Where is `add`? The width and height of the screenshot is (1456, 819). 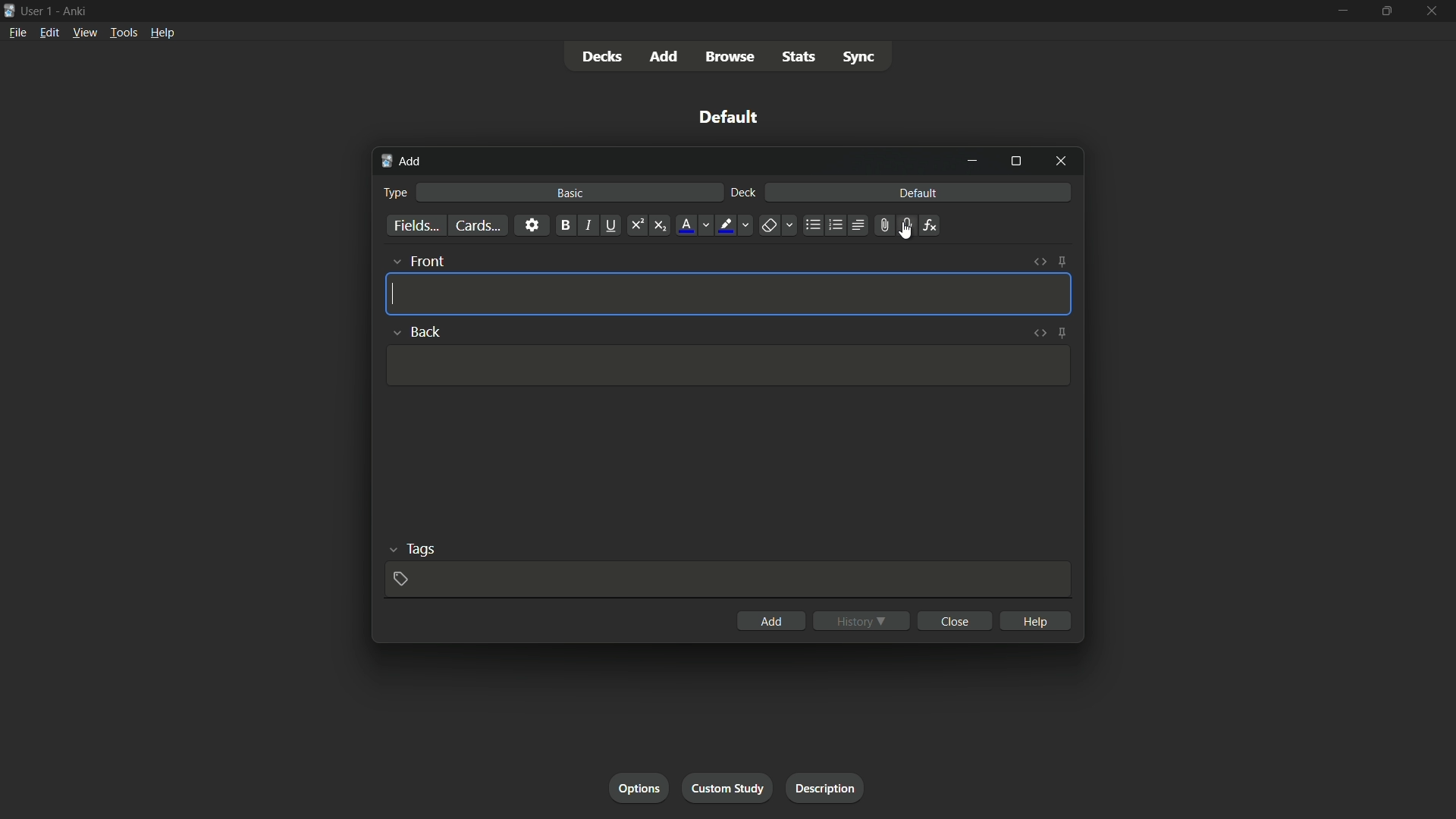
add is located at coordinates (770, 621).